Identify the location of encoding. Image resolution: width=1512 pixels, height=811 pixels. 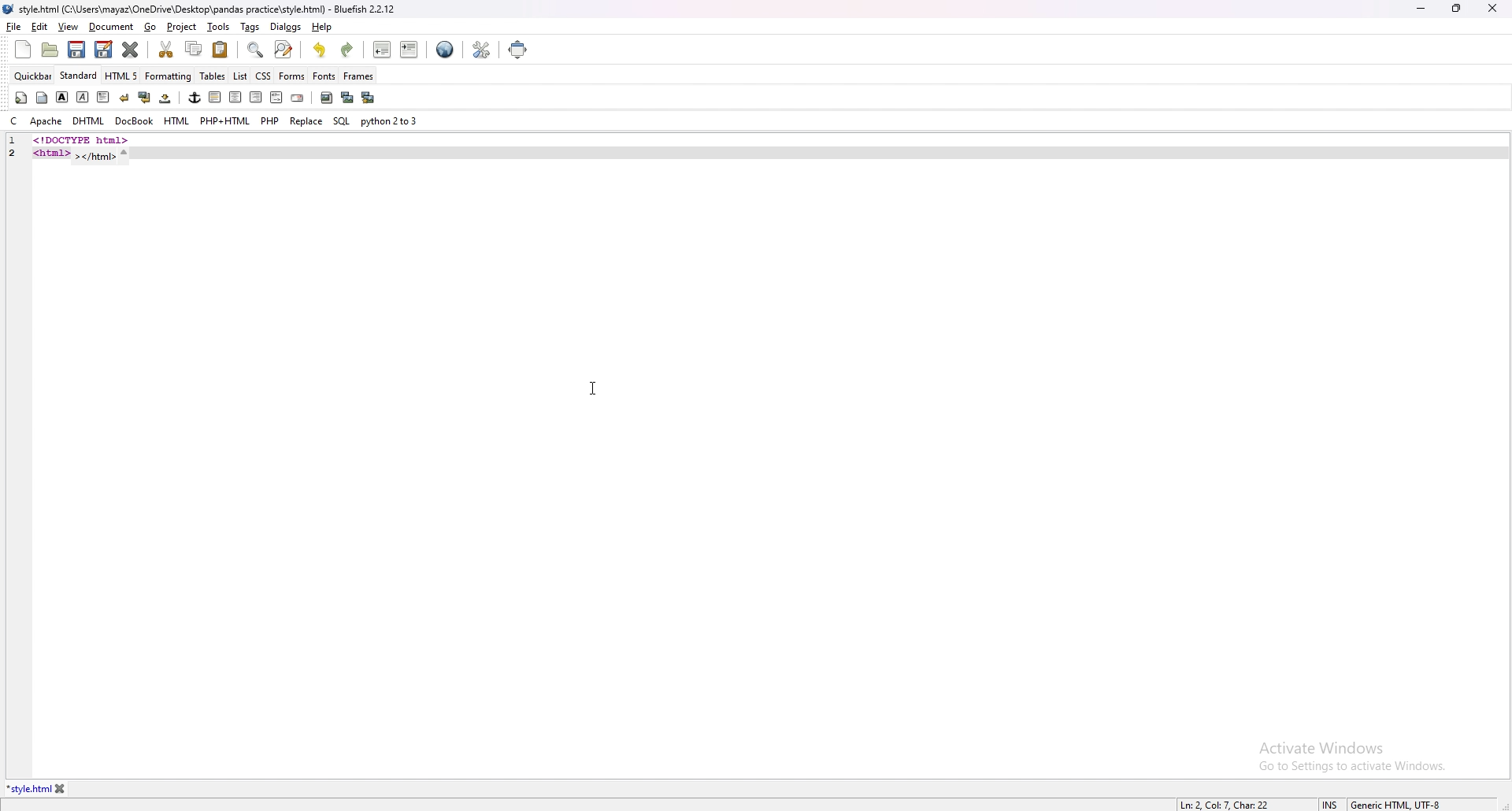
(1395, 803).